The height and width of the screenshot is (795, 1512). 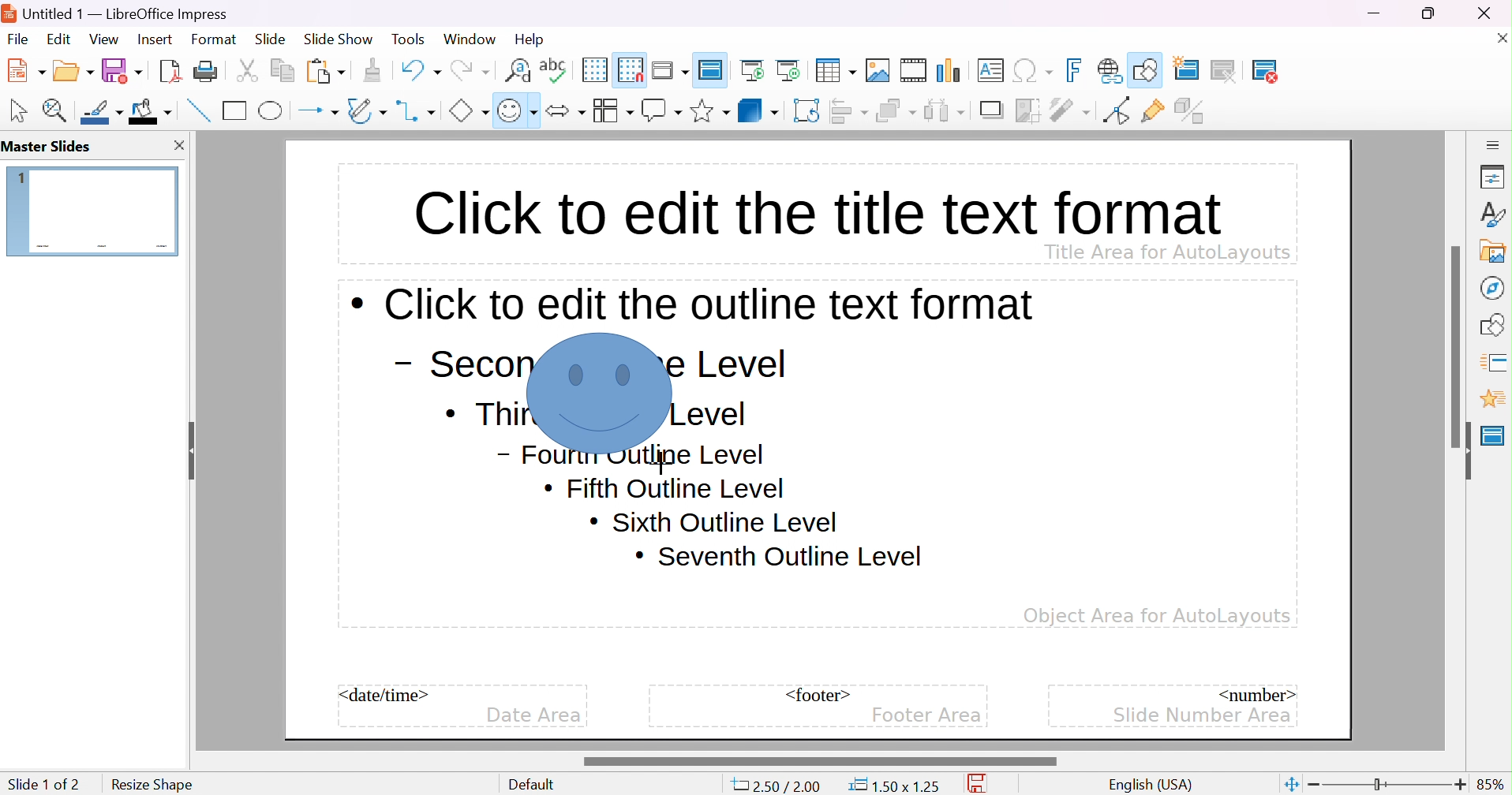 What do you see at coordinates (1147, 68) in the screenshot?
I see `show draw functions` at bounding box center [1147, 68].